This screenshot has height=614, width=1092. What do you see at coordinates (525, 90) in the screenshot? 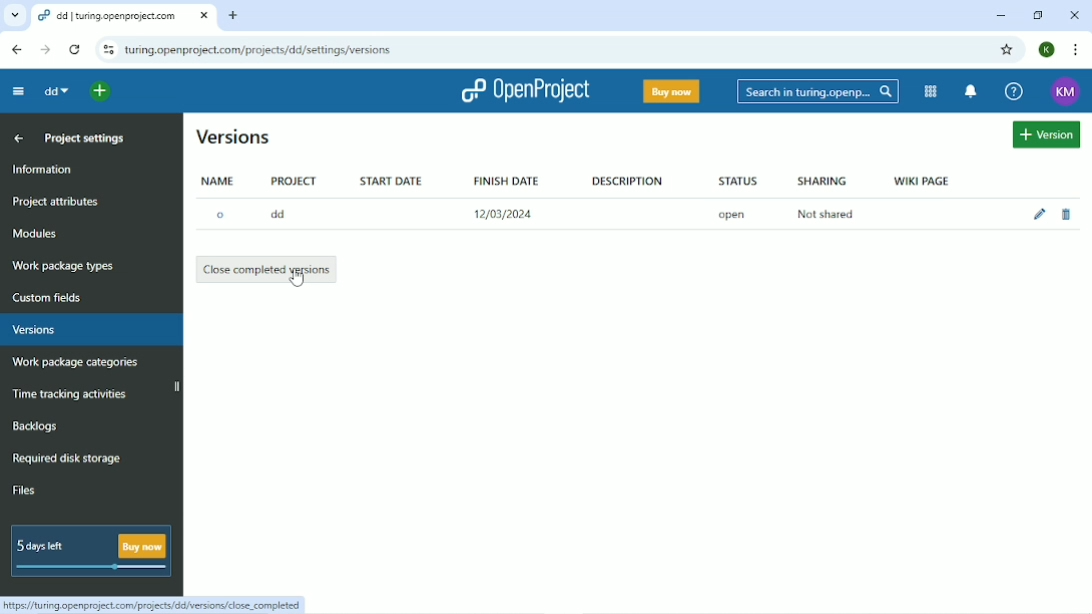
I see `OpenProject` at bounding box center [525, 90].